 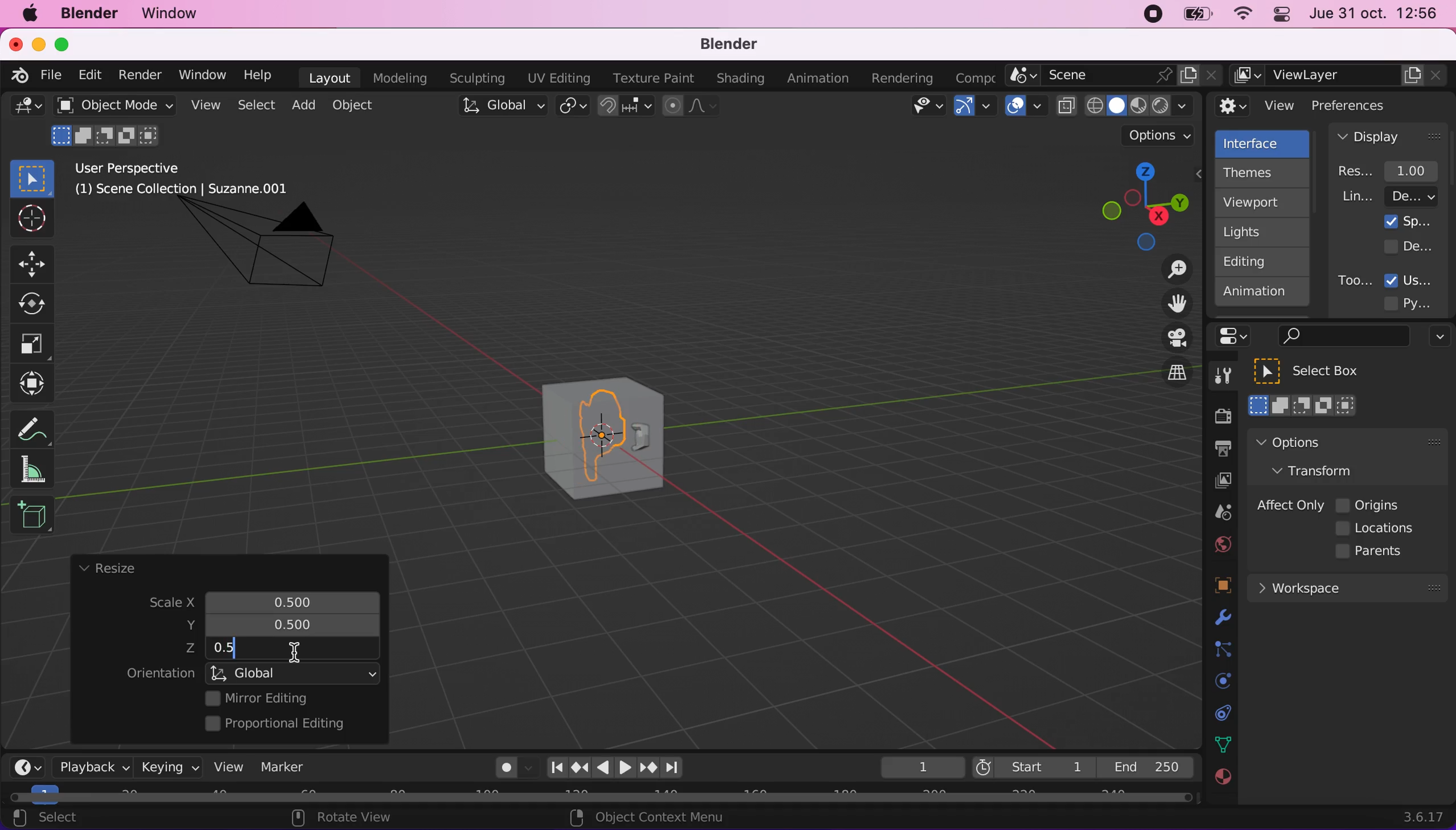 What do you see at coordinates (1321, 371) in the screenshot?
I see `select box` at bounding box center [1321, 371].